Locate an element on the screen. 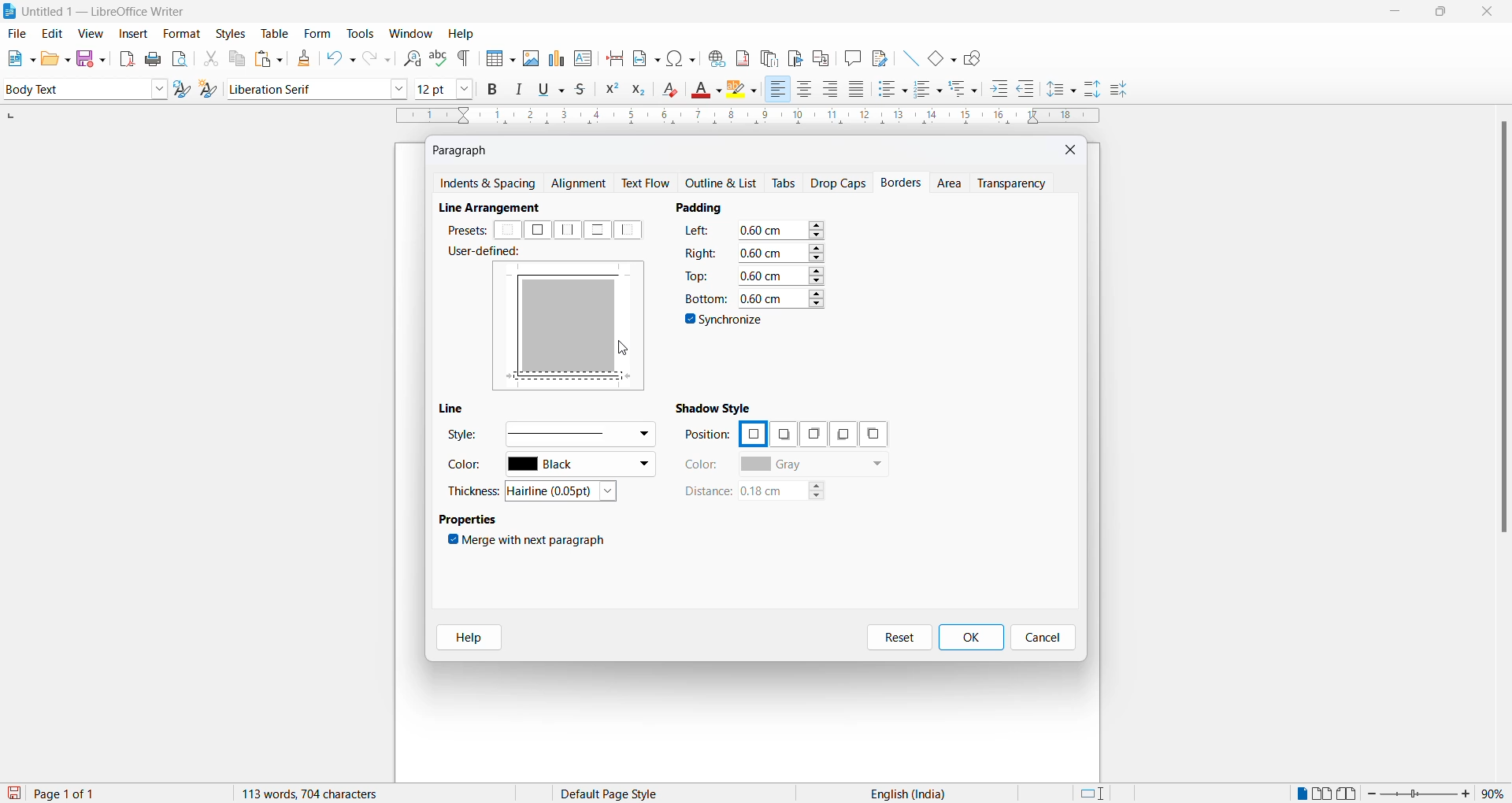 The height and width of the screenshot is (803, 1512). line options is located at coordinates (579, 433).